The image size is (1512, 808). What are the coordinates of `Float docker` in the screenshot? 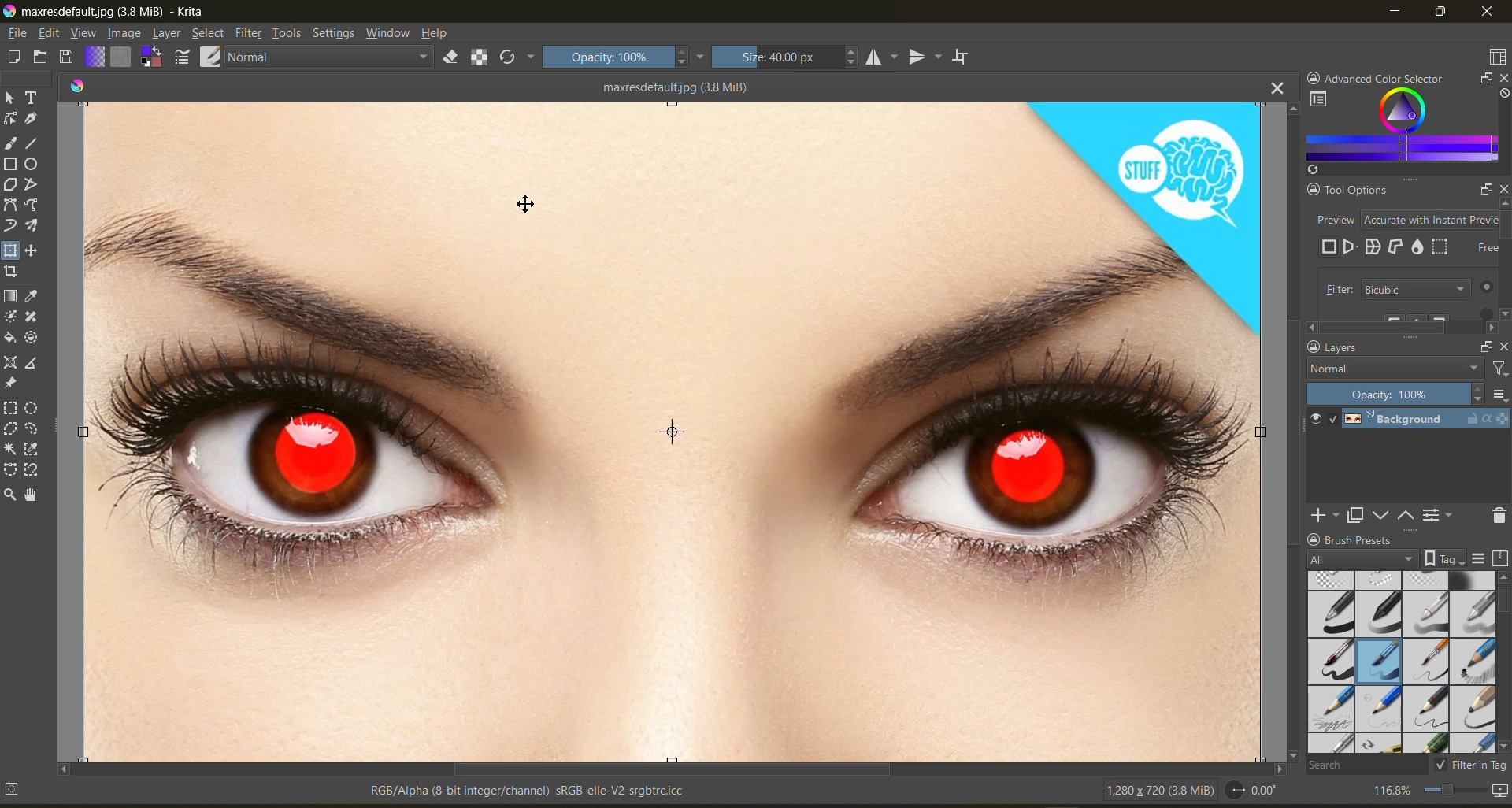 It's located at (1477, 189).